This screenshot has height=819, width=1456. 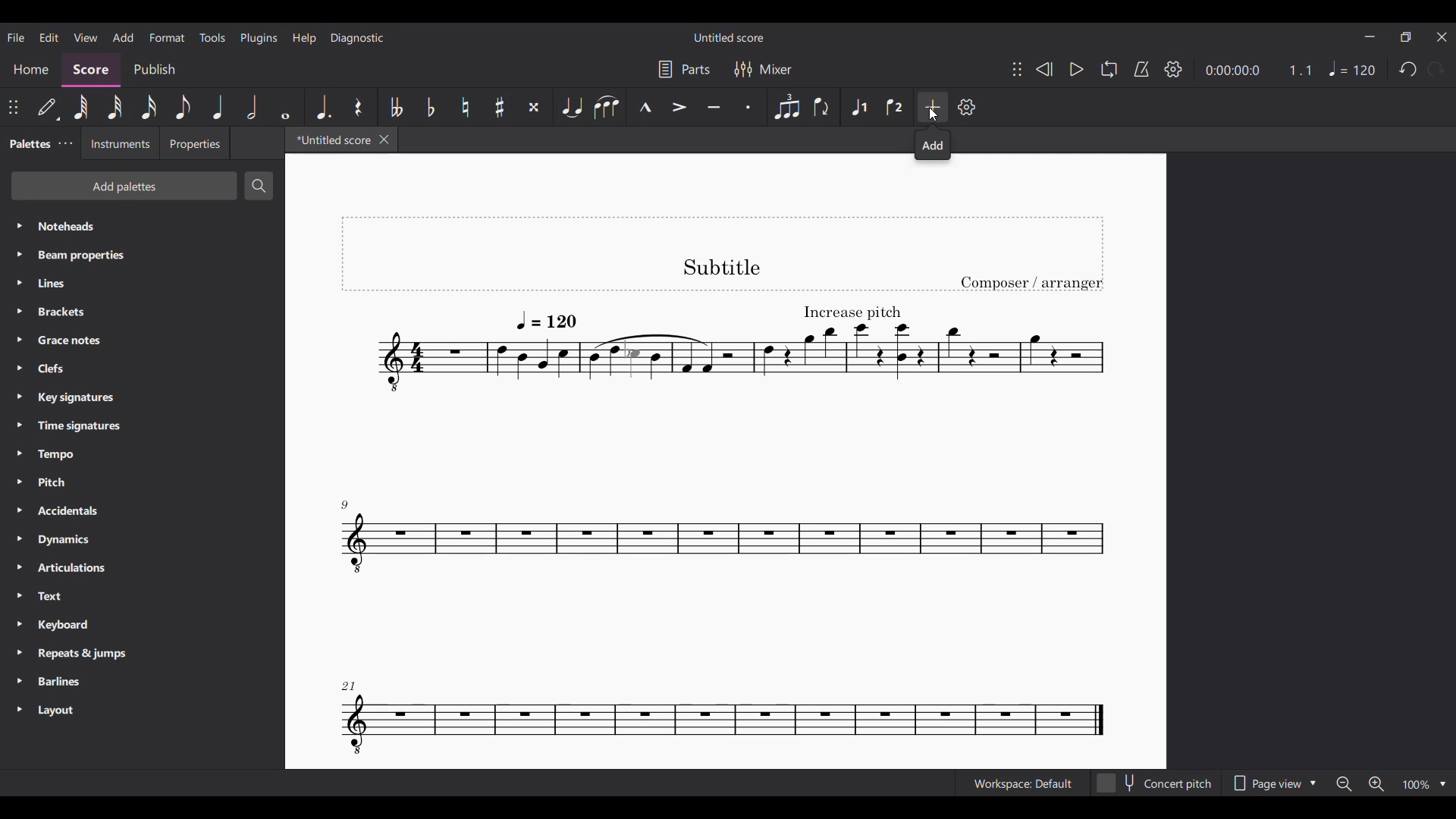 What do you see at coordinates (1300, 70) in the screenshot?
I see `Current ratio` at bounding box center [1300, 70].